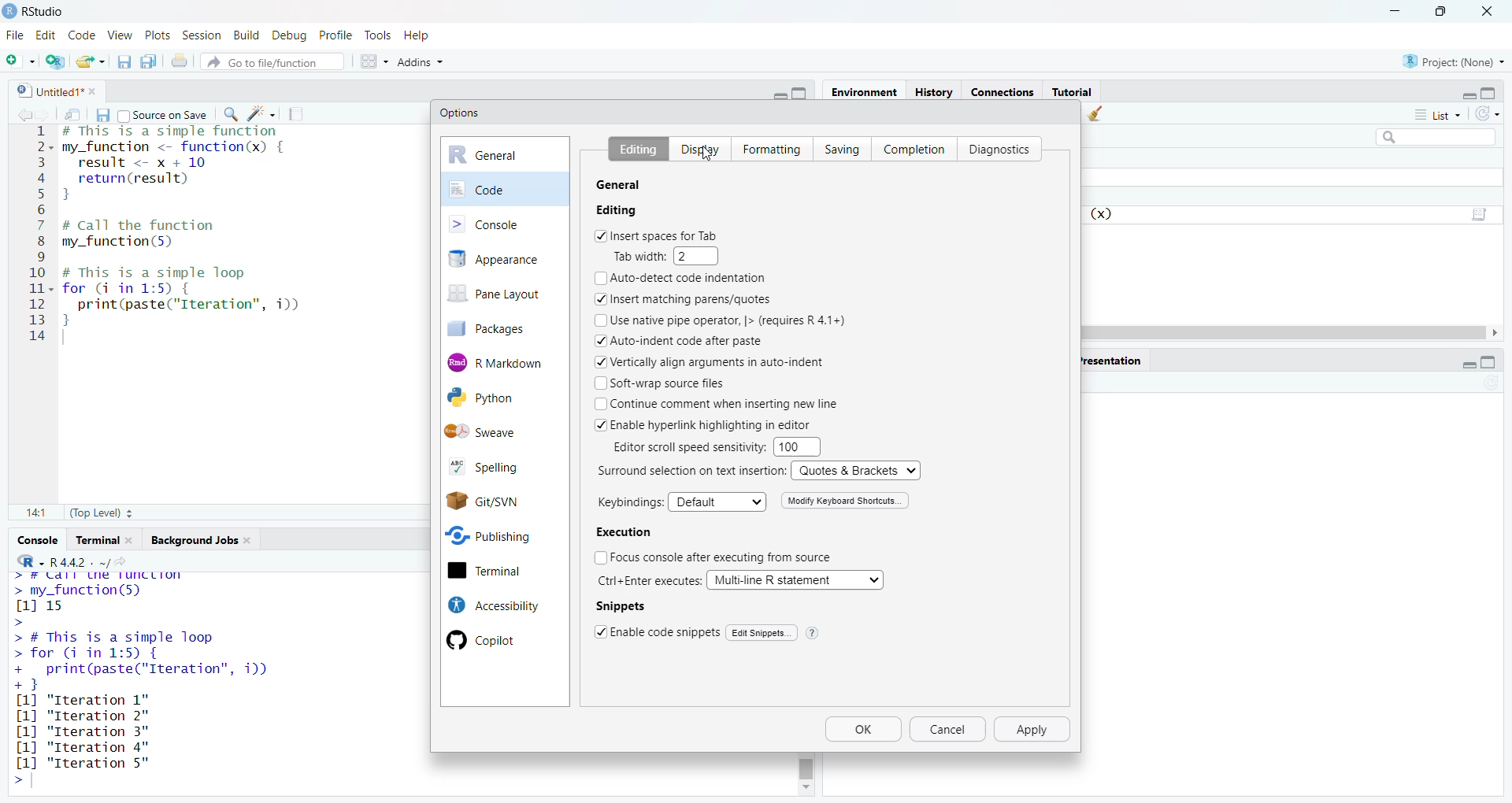  What do you see at coordinates (339, 34) in the screenshot?
I see `profile` at bounding box center [339, 34].